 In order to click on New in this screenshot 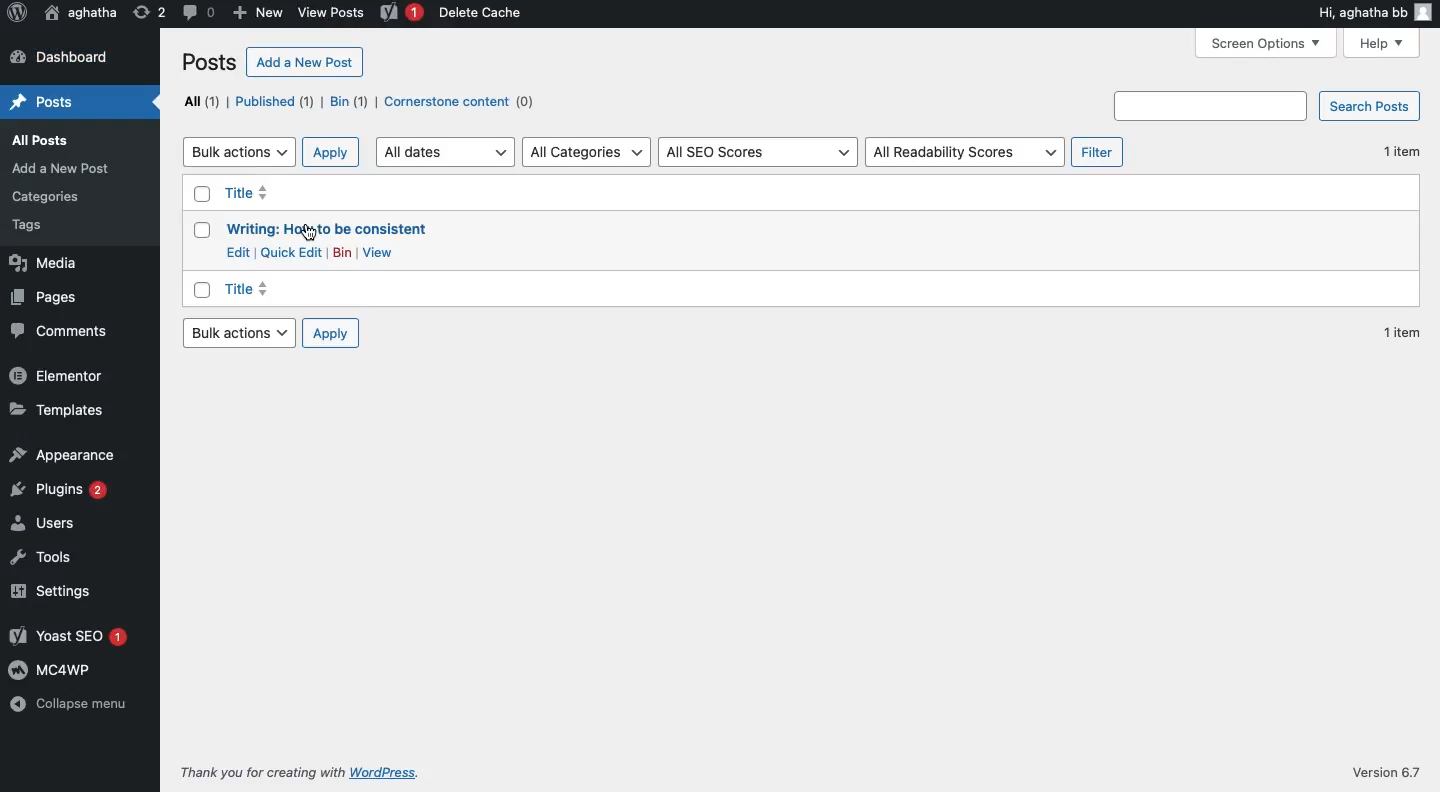, I will do `click(254, 13)`.